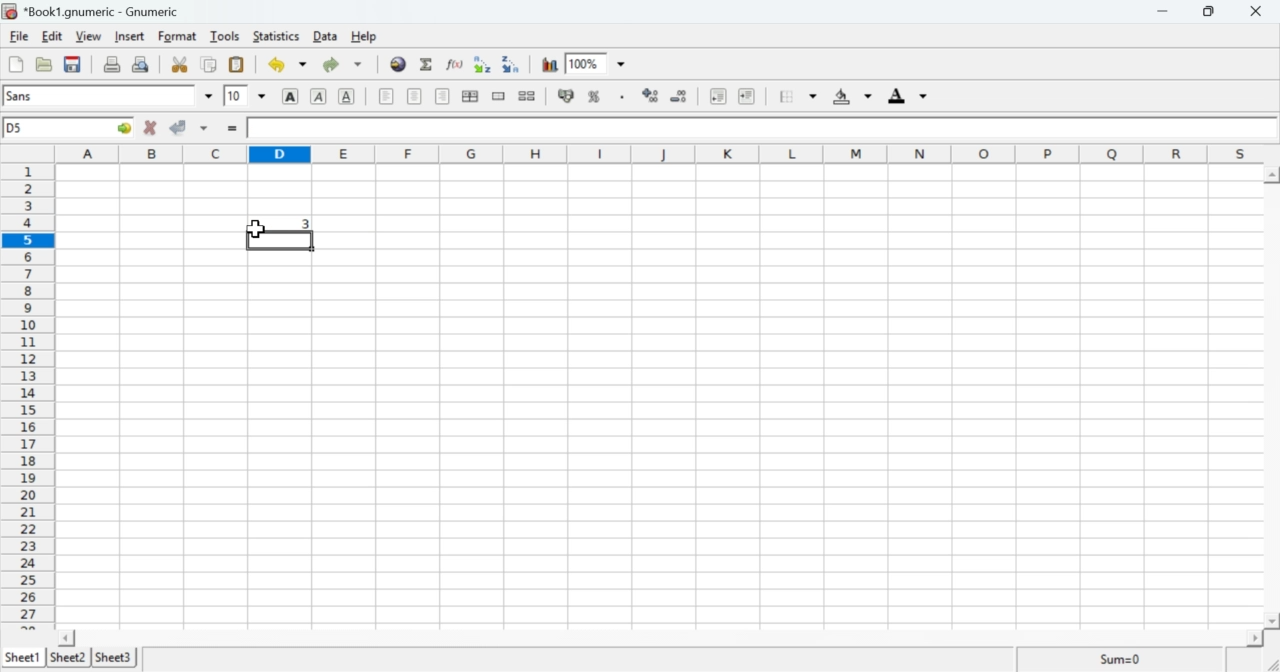  What do you see at coordinates (287, 65) in the screenshot?
I see `Undo` at bounding box center [287, 65].